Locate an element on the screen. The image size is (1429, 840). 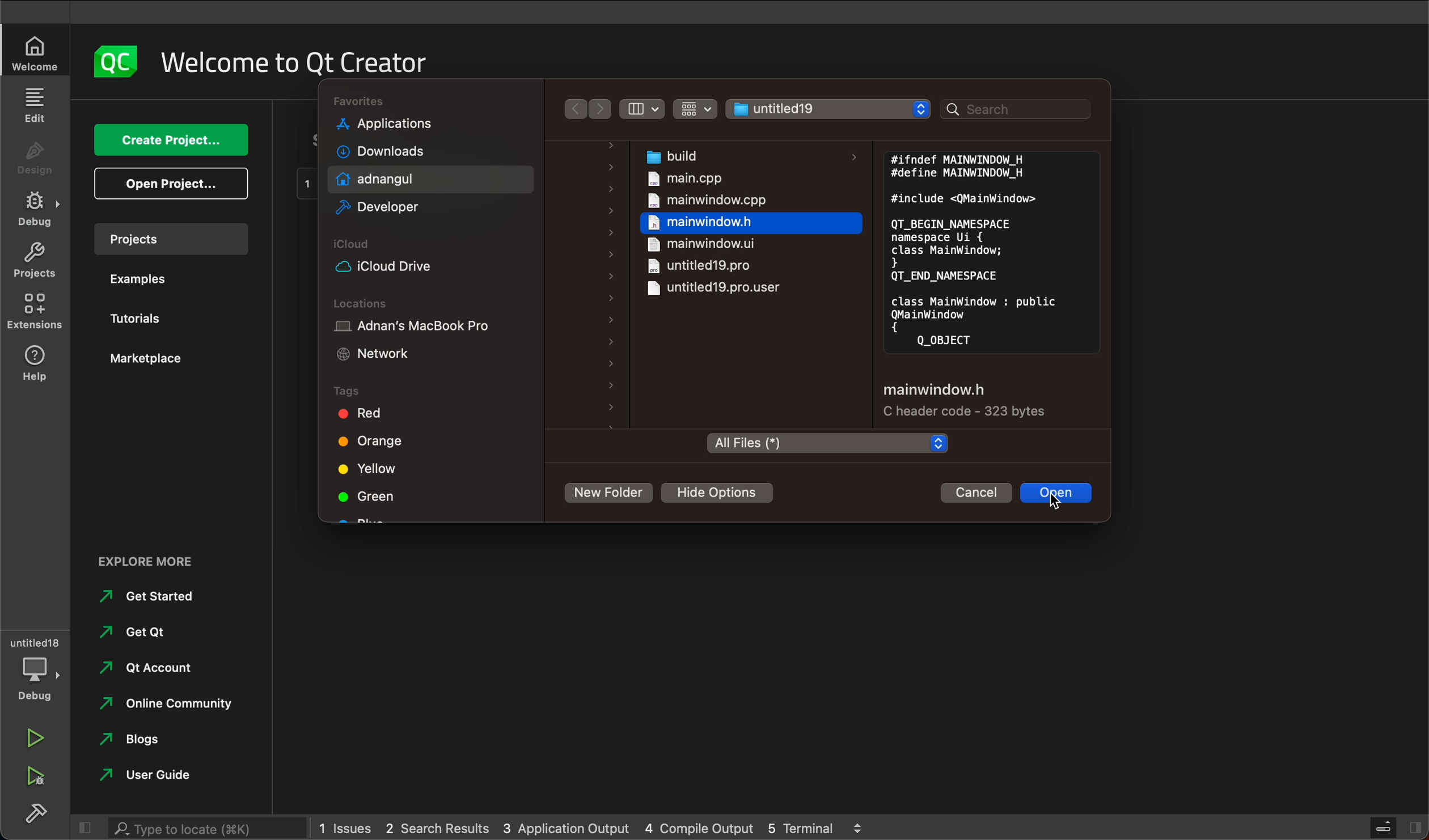
folders is located at coordinates (433, 102).